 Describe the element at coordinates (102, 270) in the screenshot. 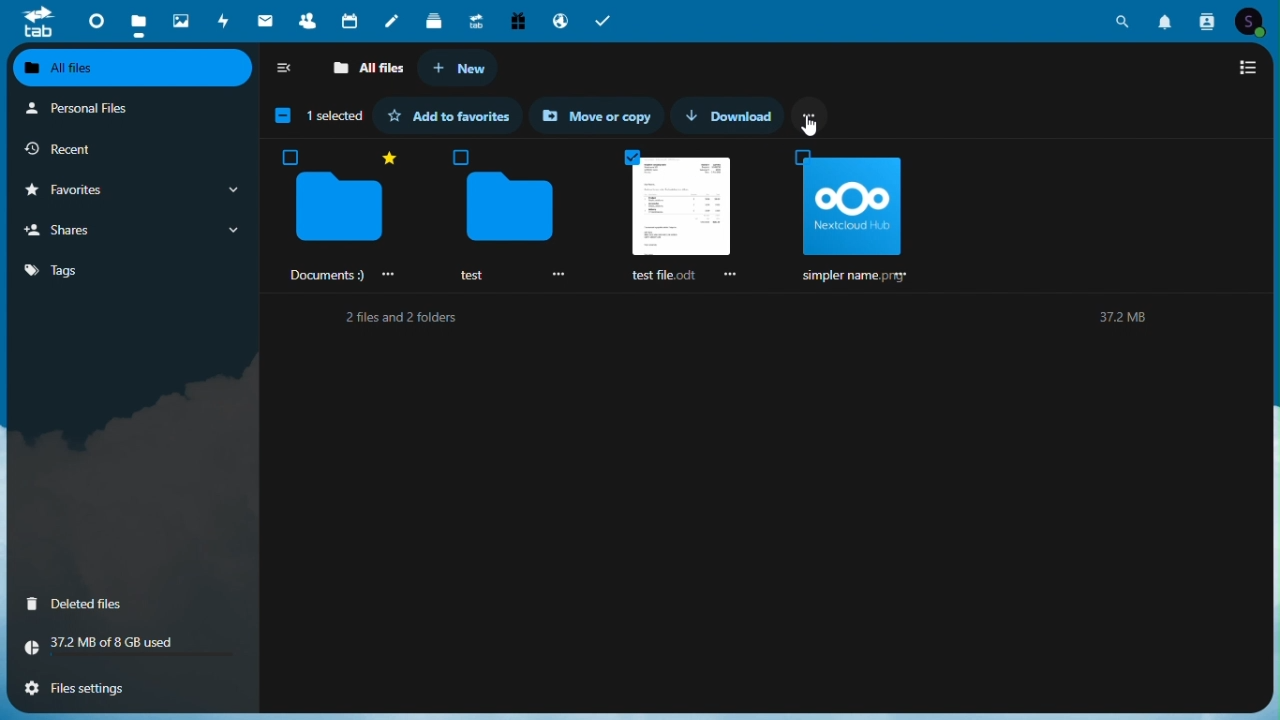

I see `Tag` at that location.